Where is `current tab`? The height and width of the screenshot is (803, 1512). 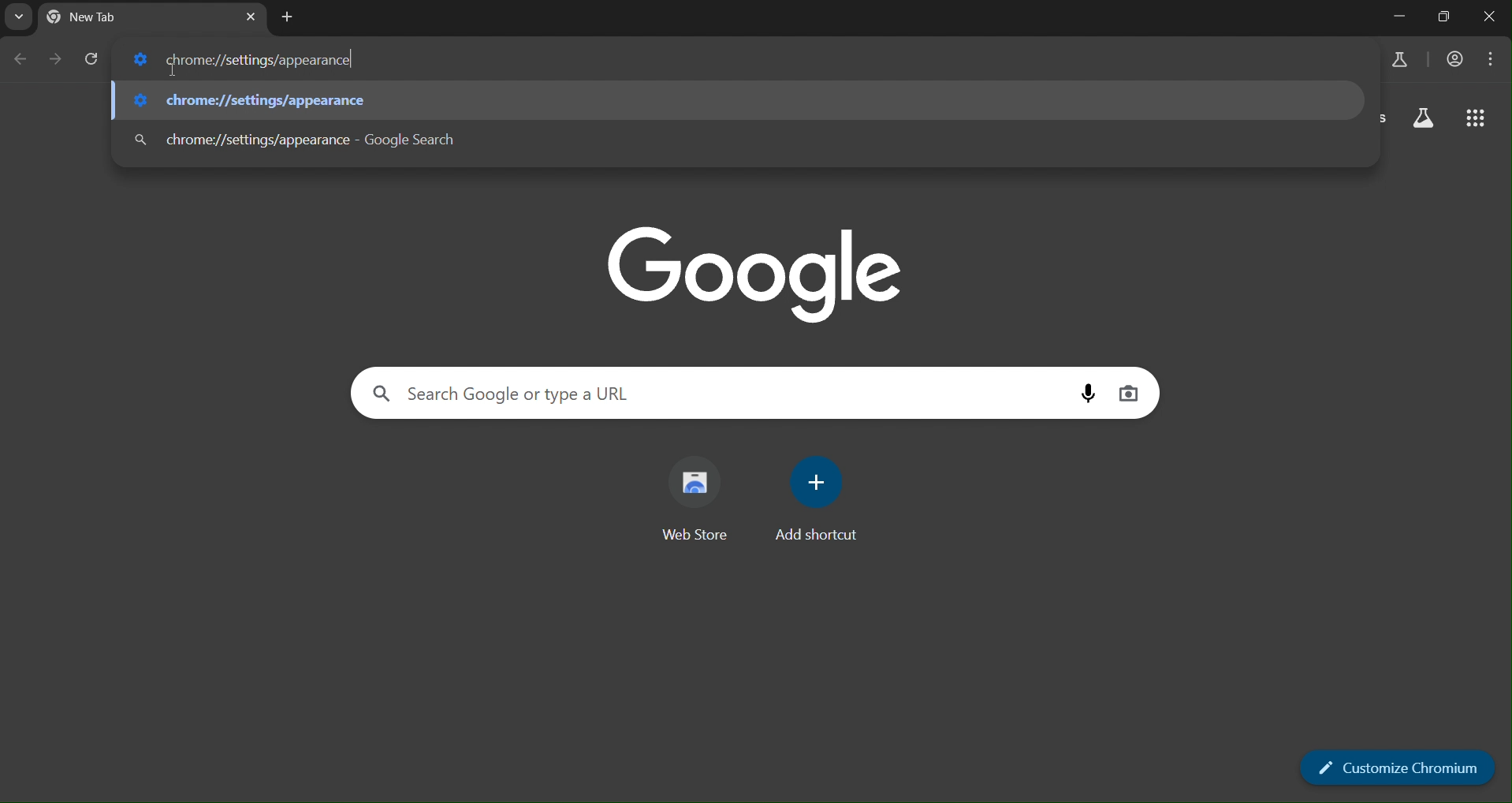
current tab is located at coordinates (110, 18).